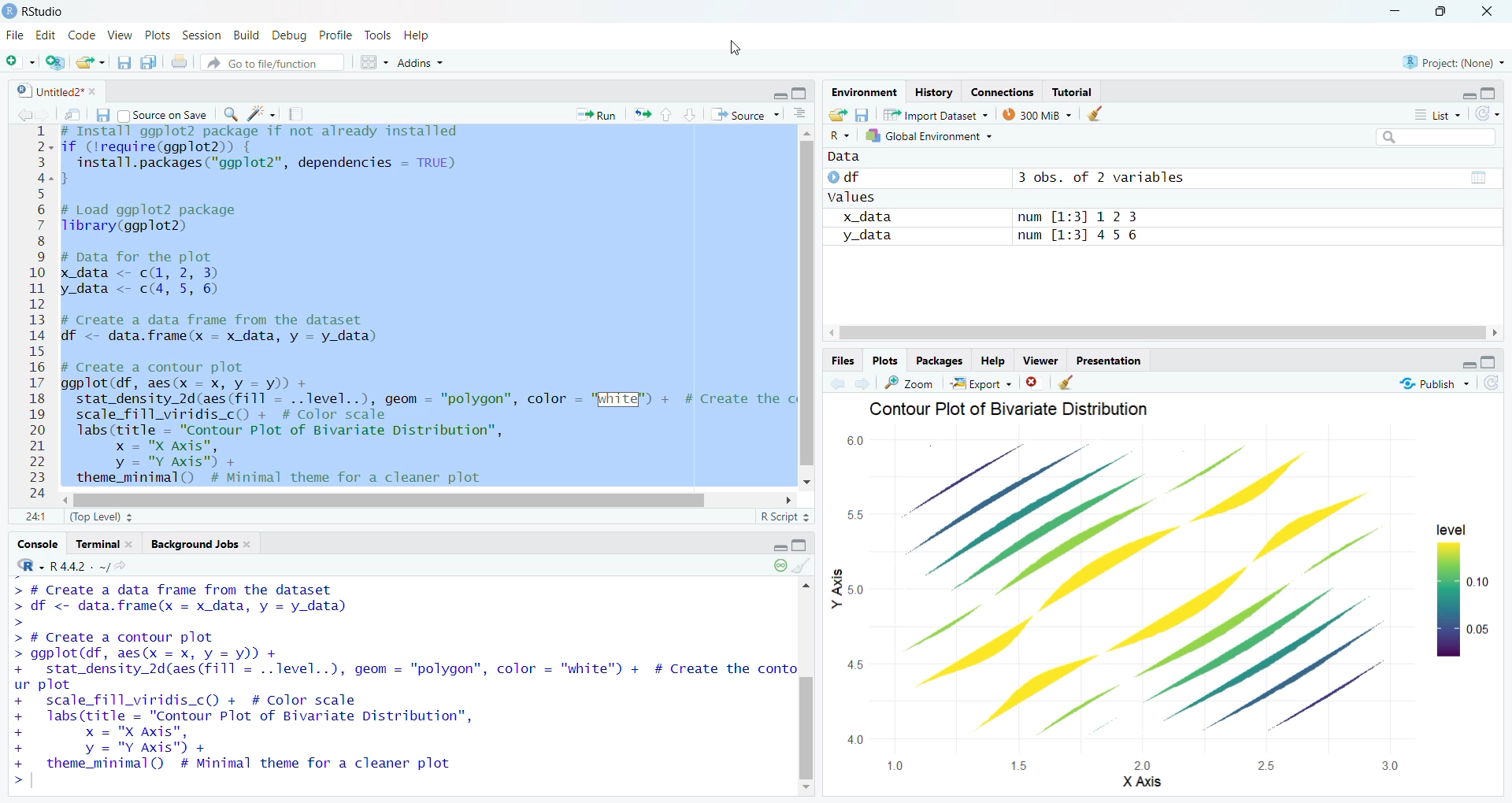 This screenshot has height=803, width=1512. Describe the element at coordinates (34, 519) in the screenshot. I see `1:1` at that location.